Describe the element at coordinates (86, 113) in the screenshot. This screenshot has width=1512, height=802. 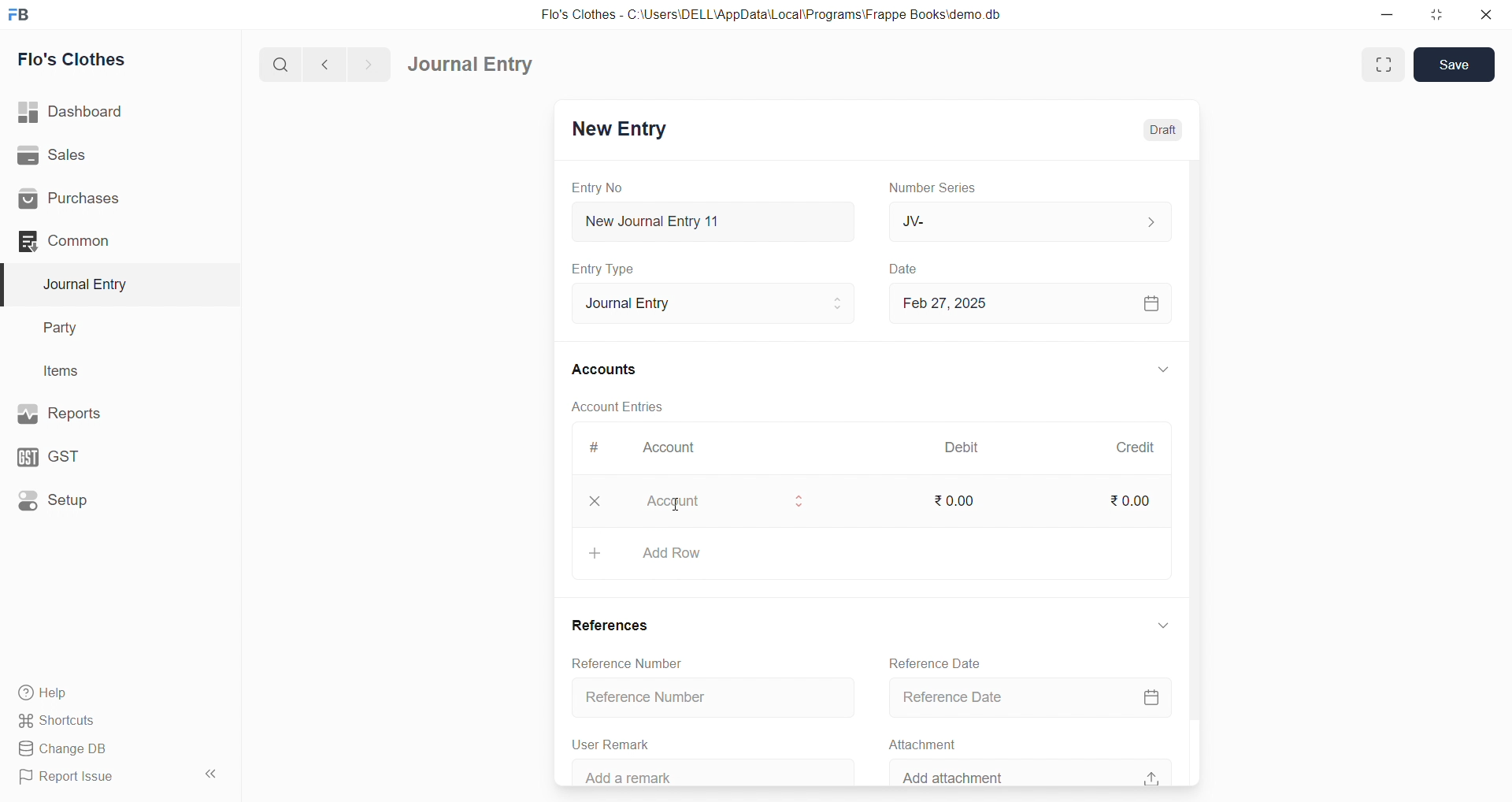
I see `| Dashboard` at that location.